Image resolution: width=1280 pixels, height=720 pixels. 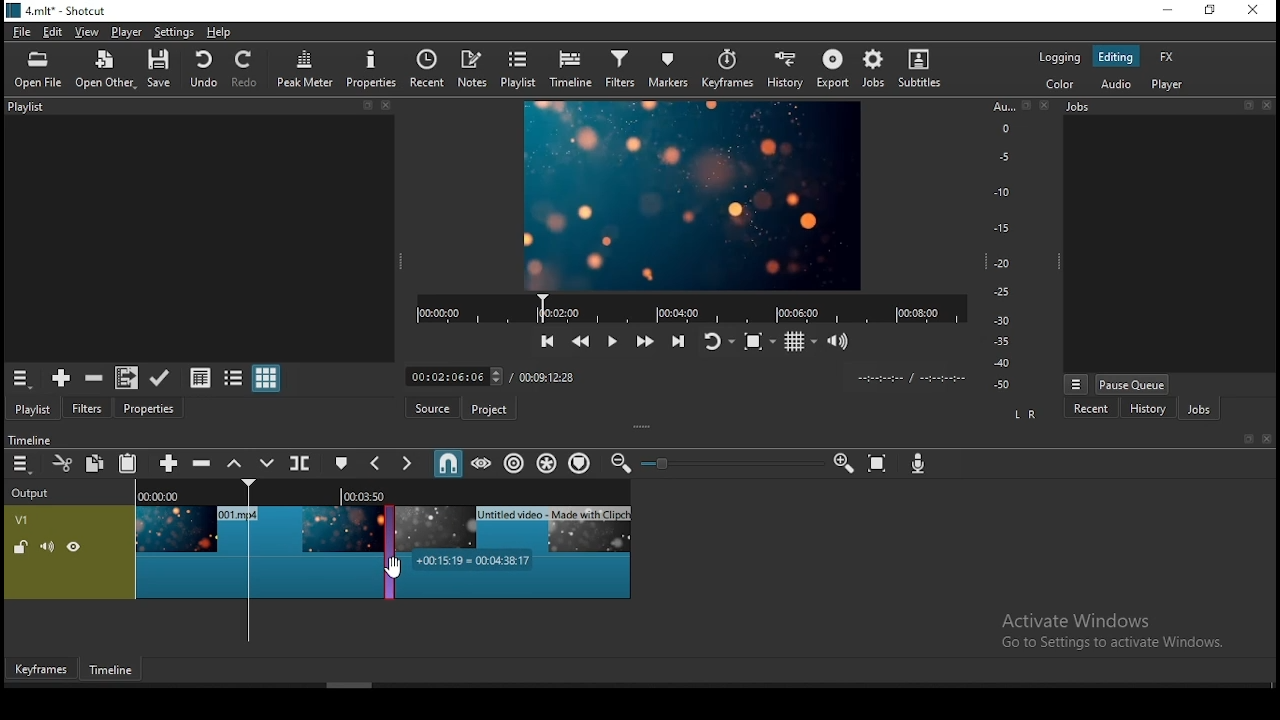 What do you see at coordinates (165, 462) in the screenshot?
I see `` at bounding box center [165, 462].